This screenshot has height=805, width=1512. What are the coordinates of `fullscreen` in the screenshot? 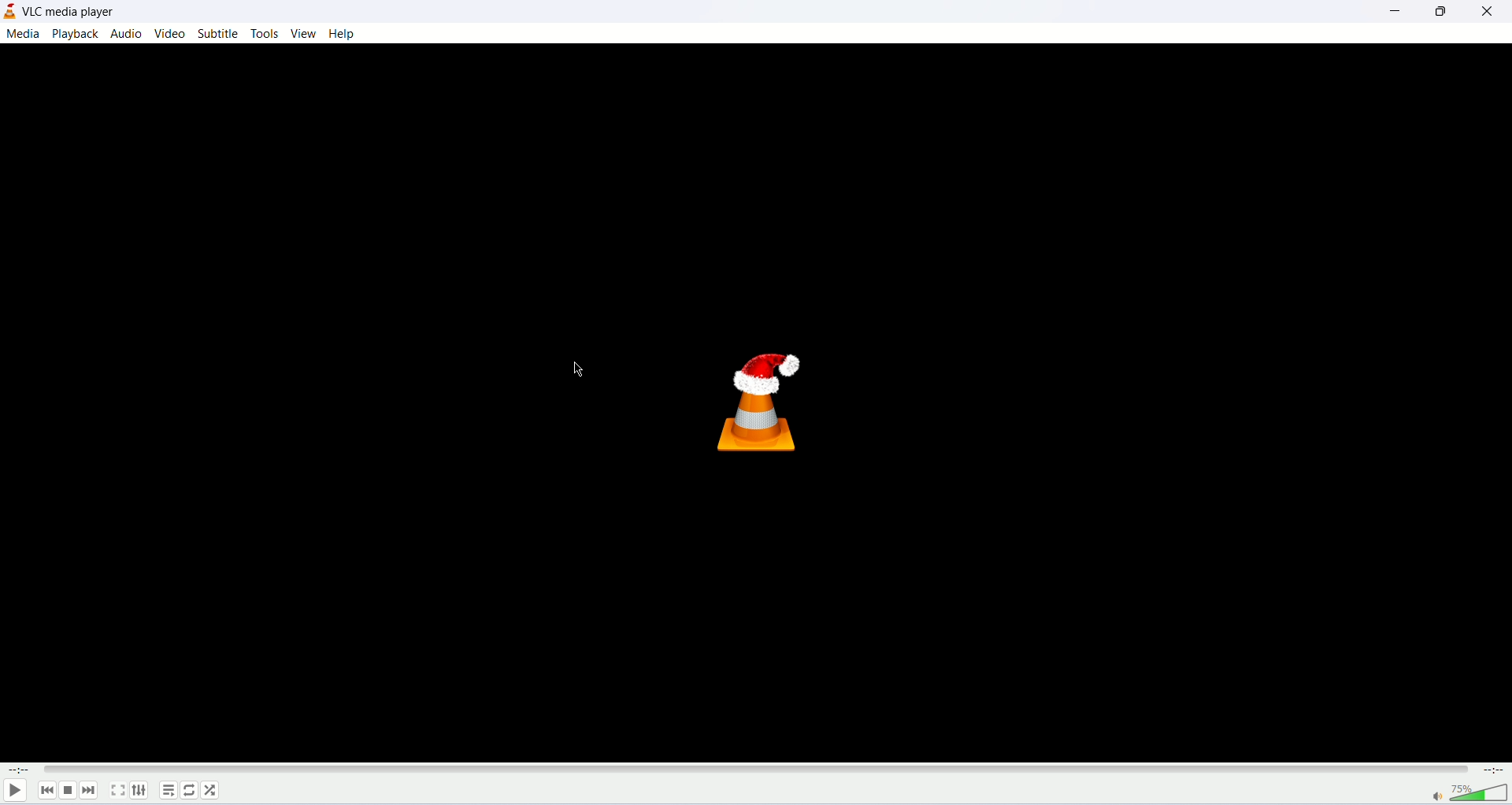 It's located at (119, 791).